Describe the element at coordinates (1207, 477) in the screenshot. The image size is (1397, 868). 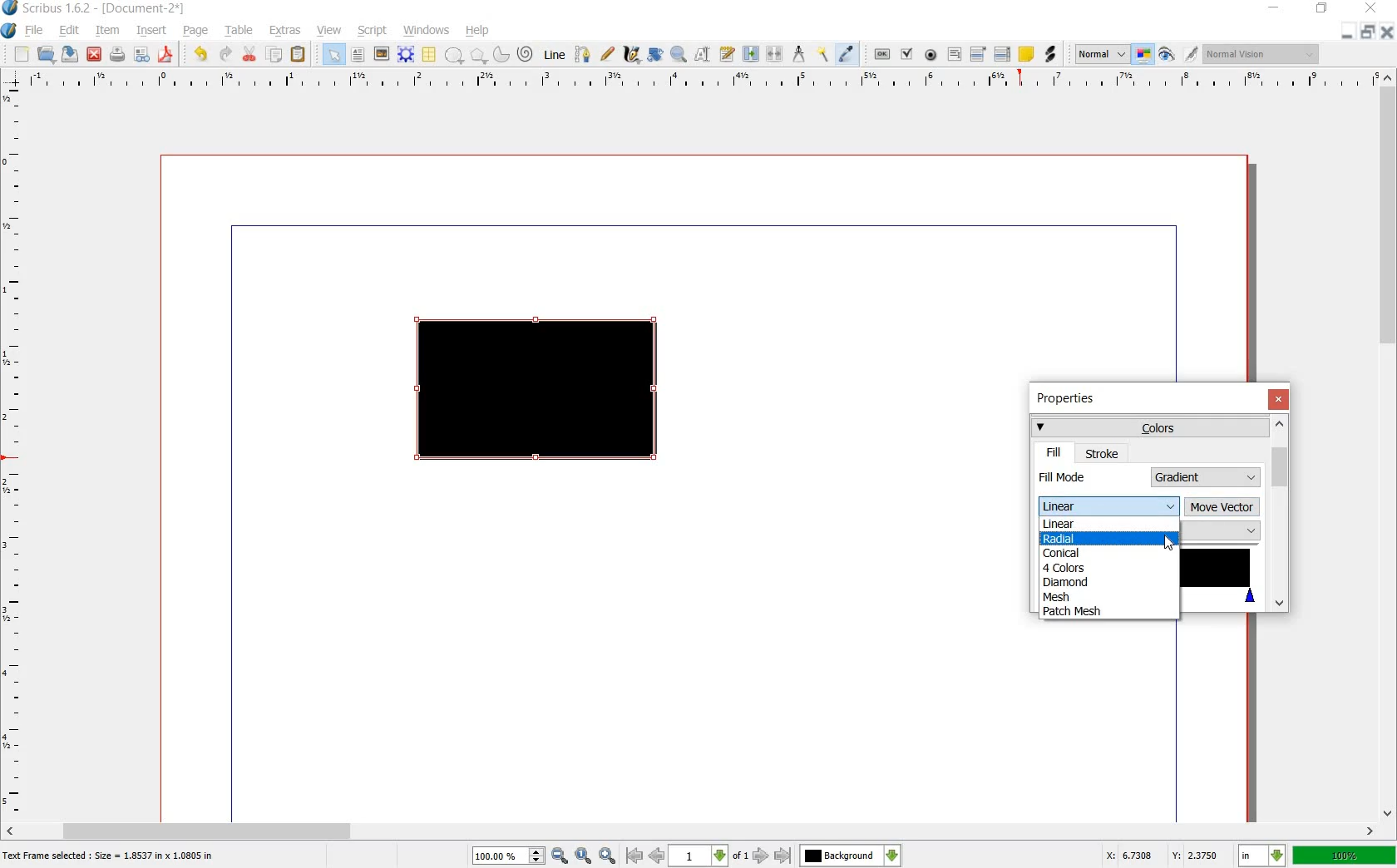
I see `gradient` at that location.